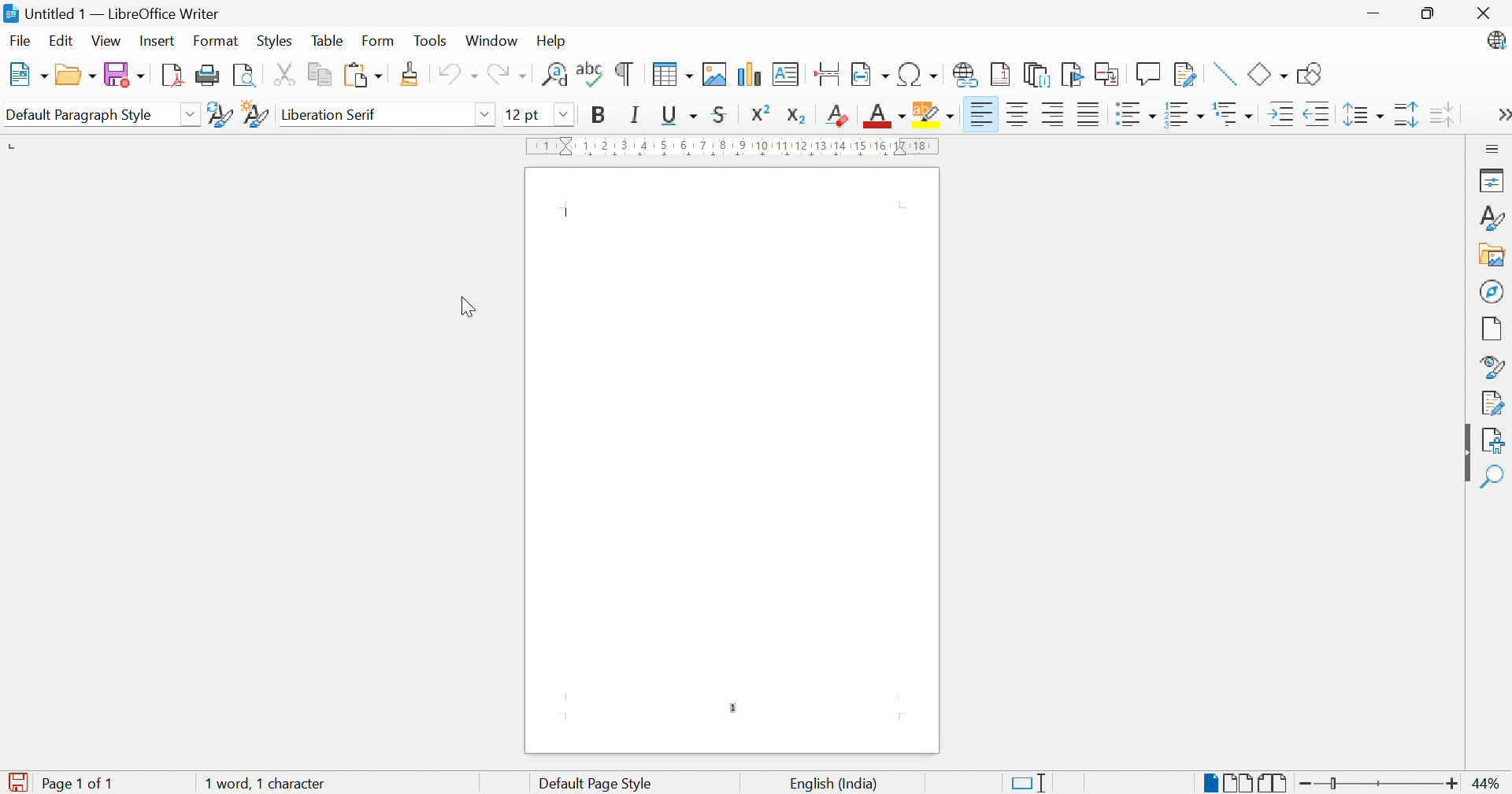 This screenshot has width=1512, height=794. Describe the element at coordinates (917, 75) in the screenshot. I see `Insert special characters` at that location.